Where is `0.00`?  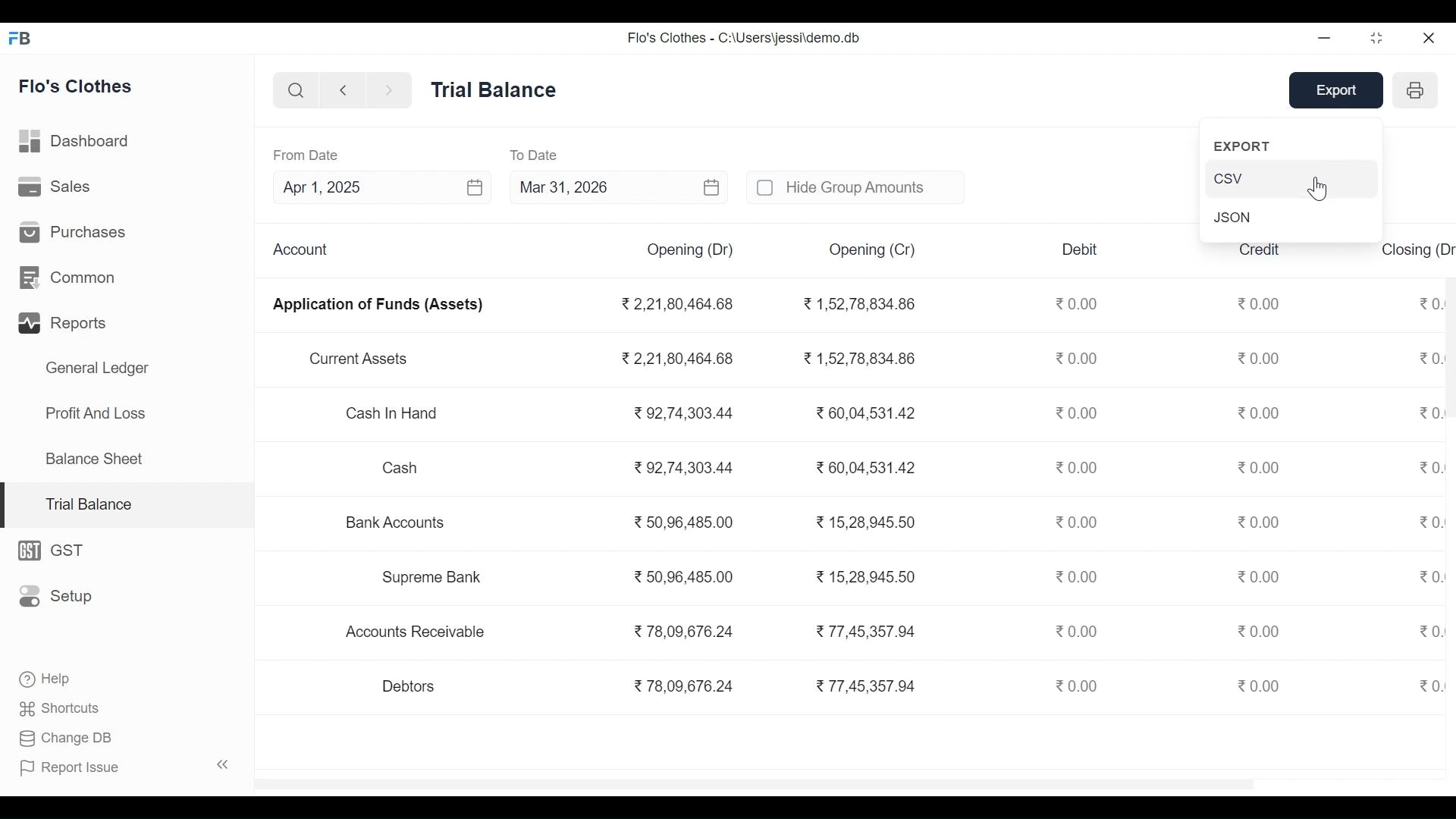 0.00 is located at coordinates (1260, 521).